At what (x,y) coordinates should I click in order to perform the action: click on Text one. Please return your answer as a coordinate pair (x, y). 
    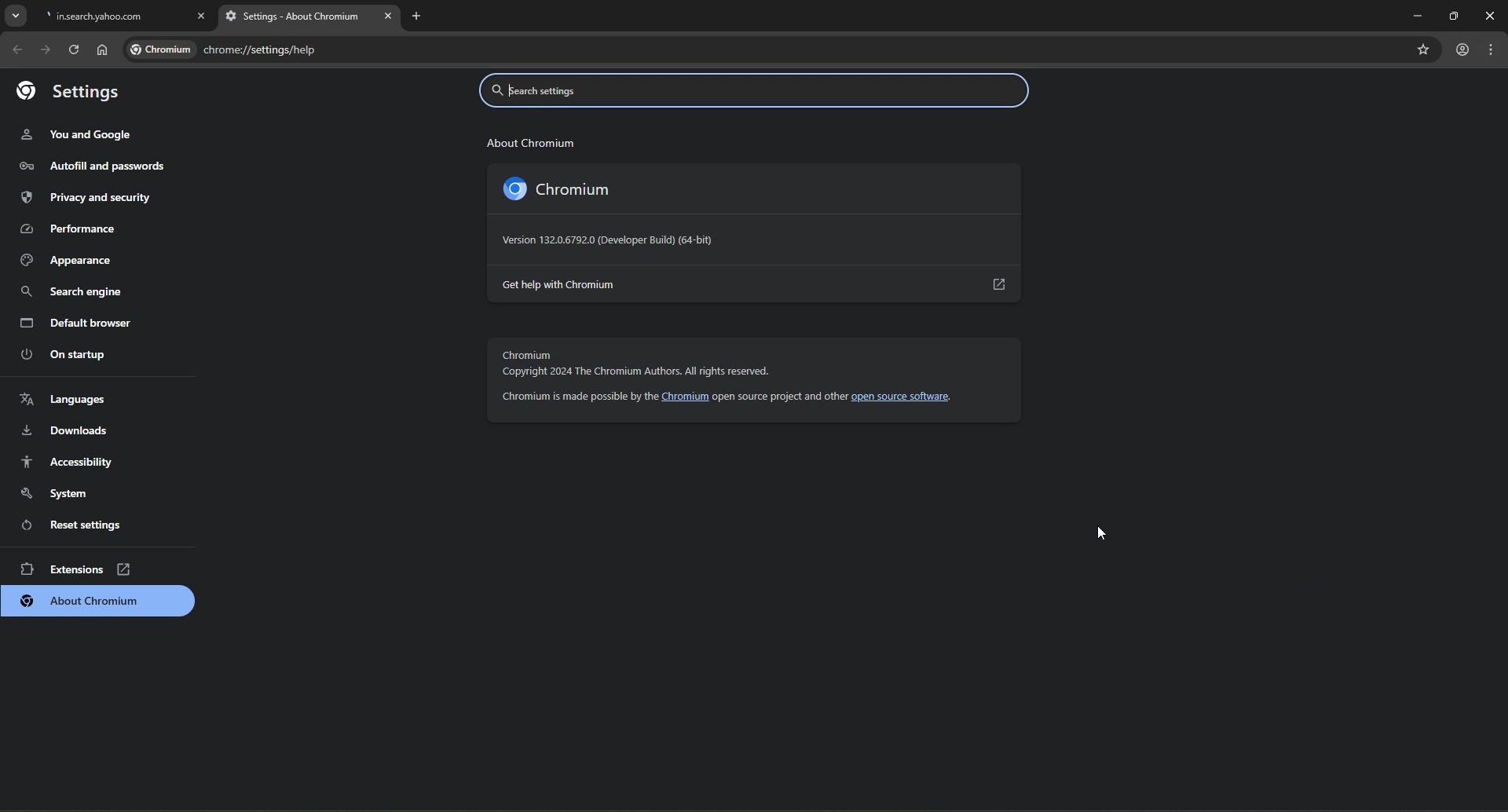
    Looking at the image, I should click on (529, 141).